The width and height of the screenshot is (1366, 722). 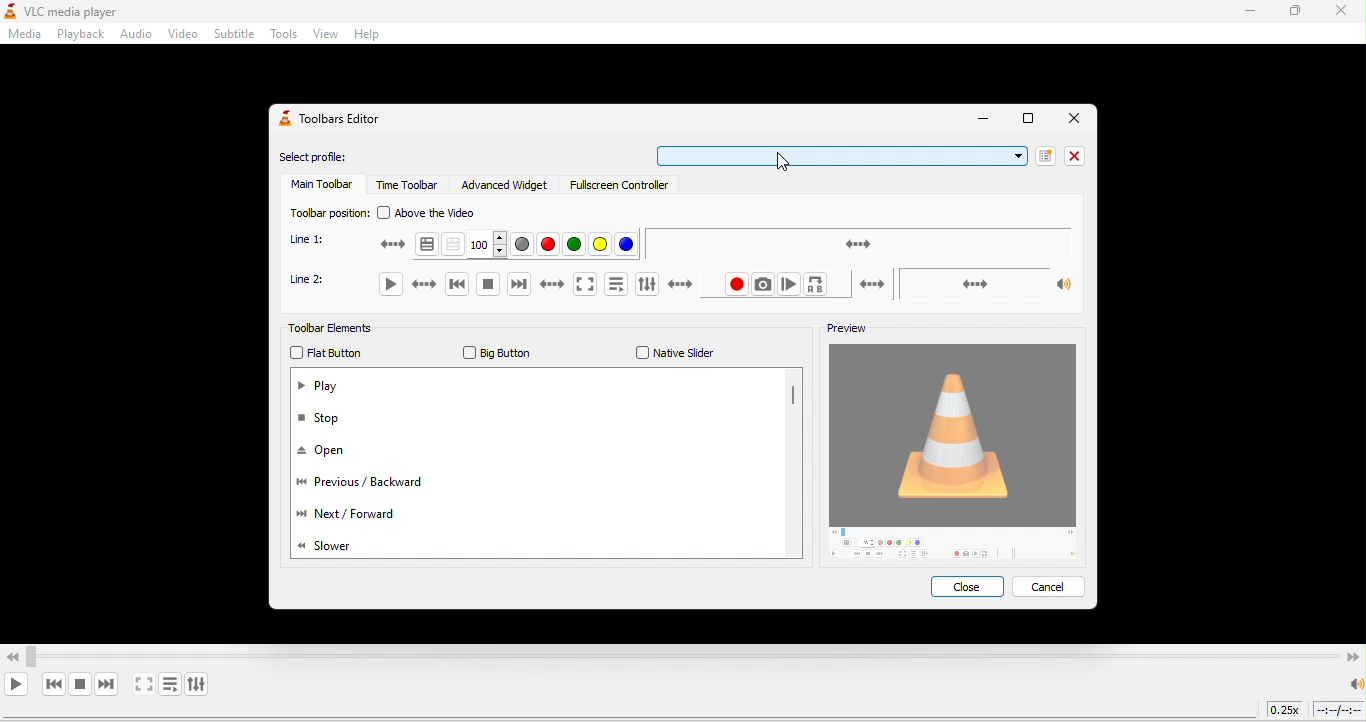 I want to click on stop to playback, so click(x=489, y=287).